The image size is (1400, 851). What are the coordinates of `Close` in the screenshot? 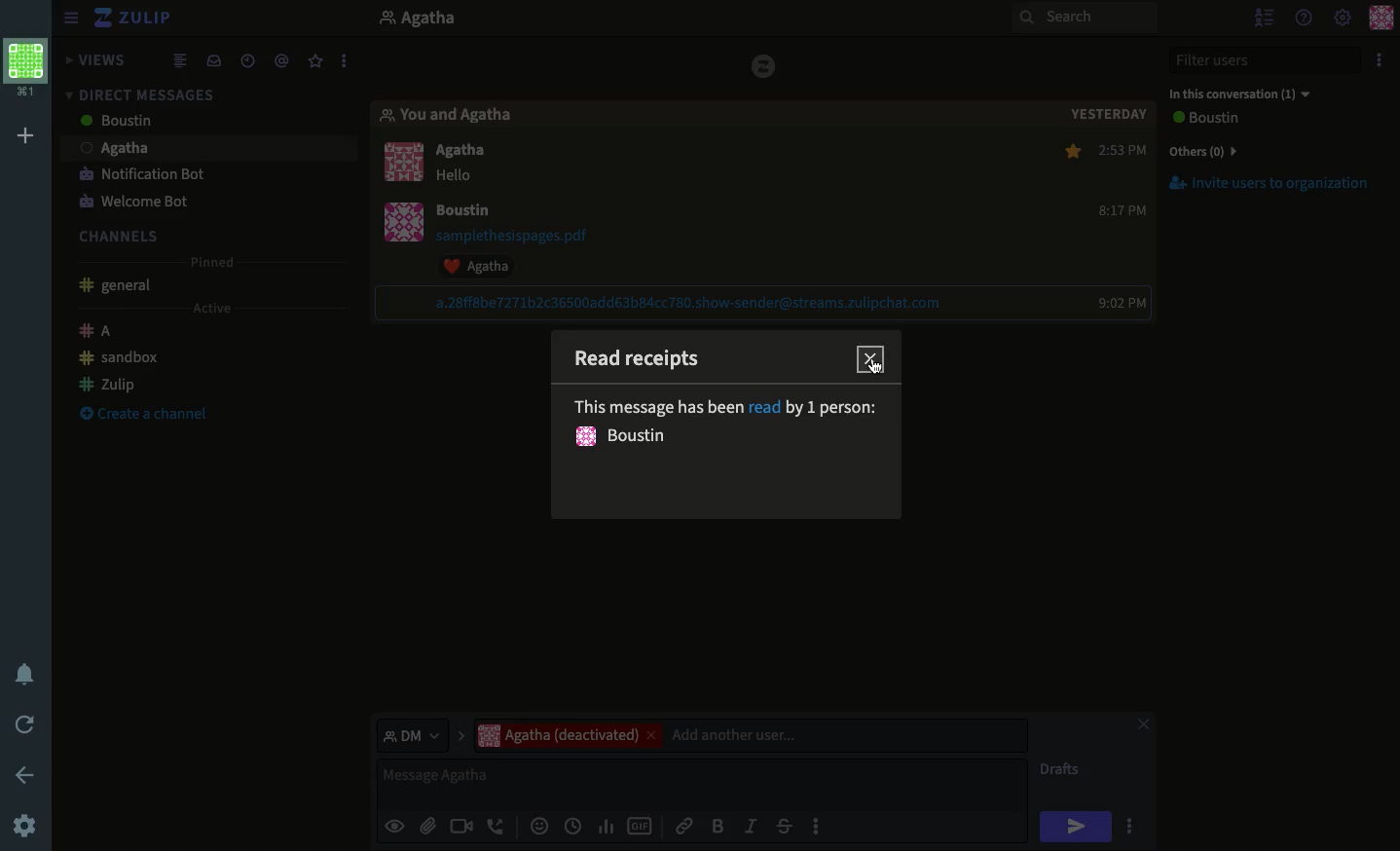 It's located at (1143, 726).